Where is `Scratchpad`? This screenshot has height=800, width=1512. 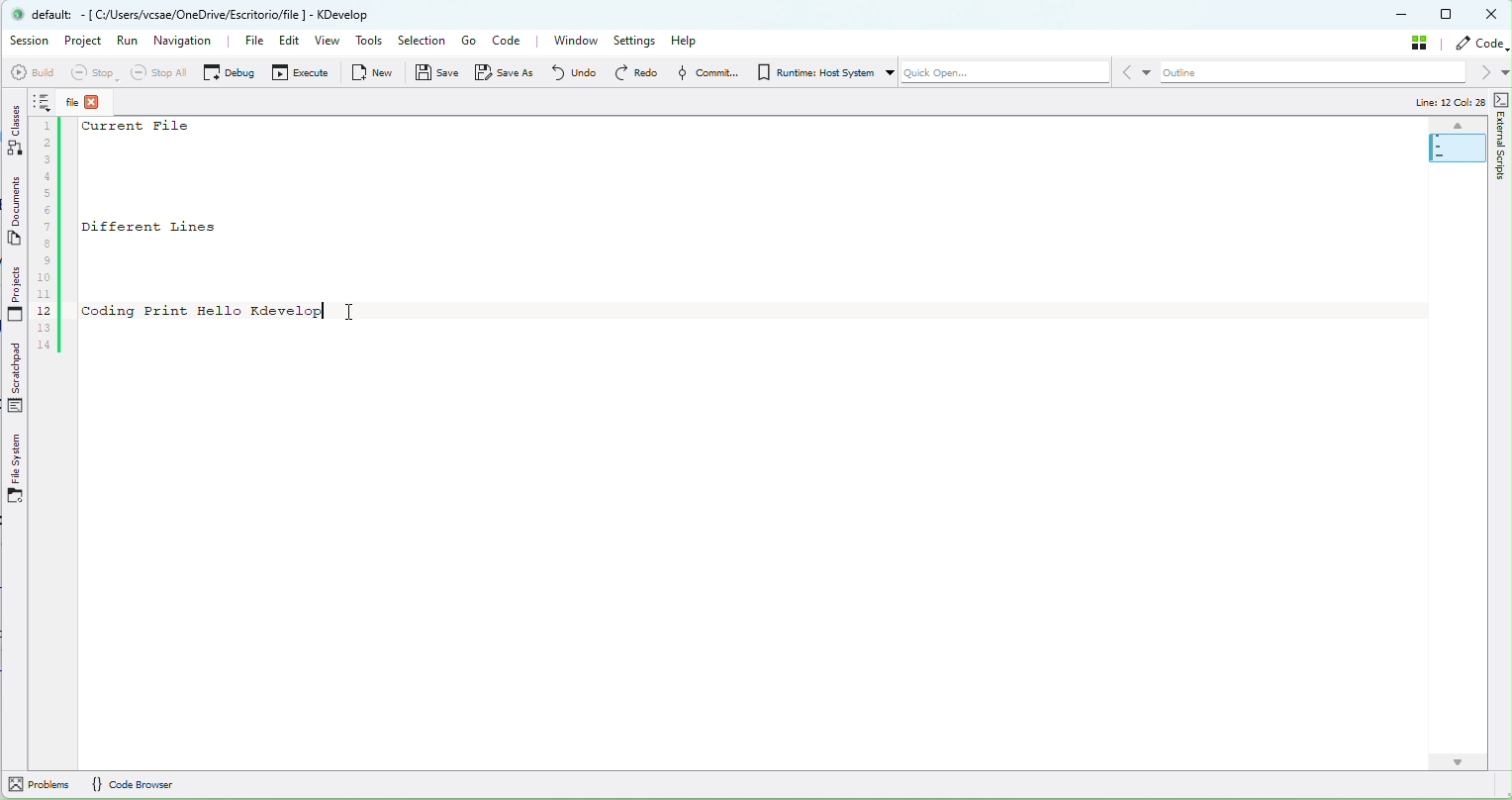 Scratchpad is located at coordinates (18, 379).